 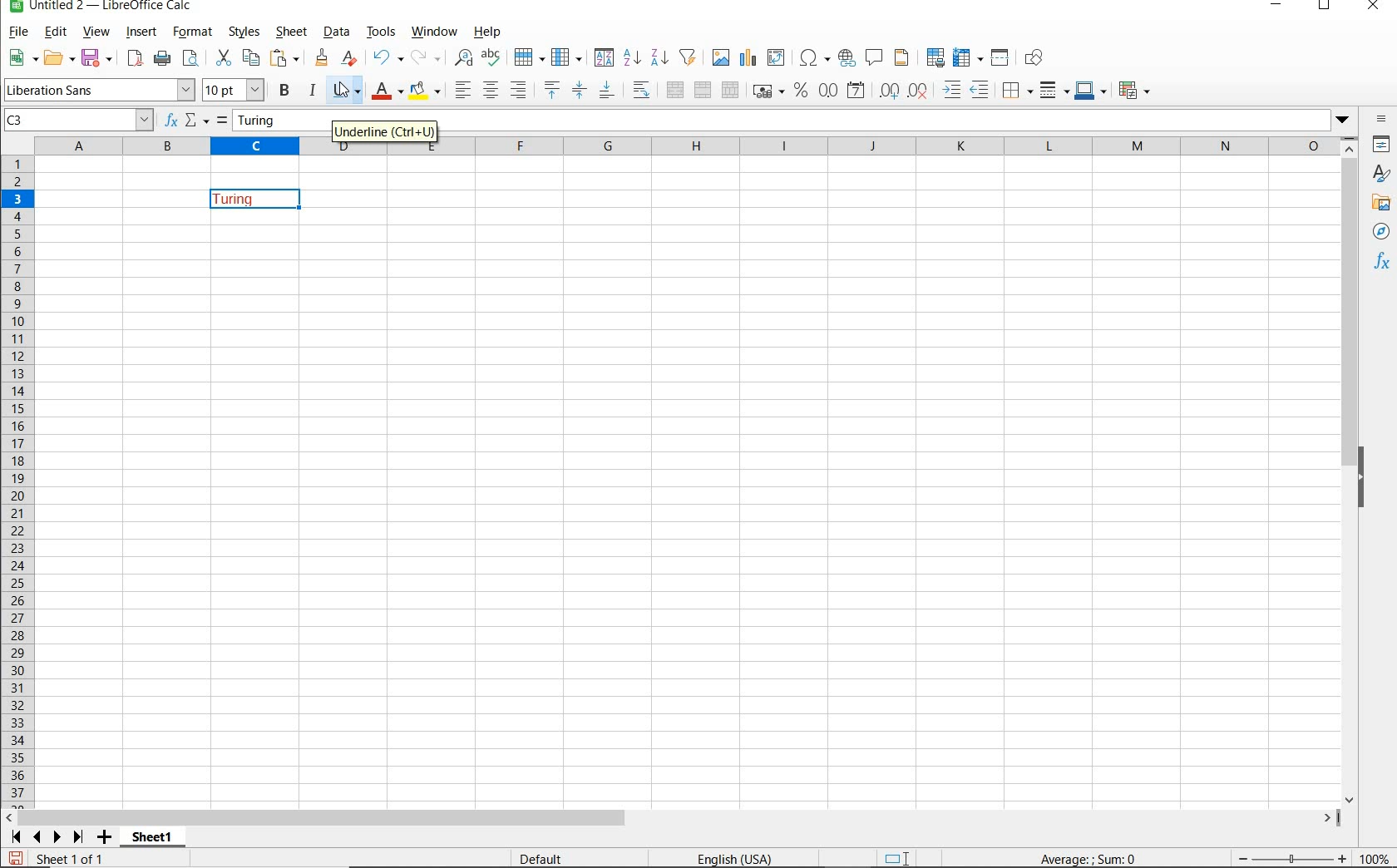 What do you see at coordinates (633, 57) in the screenshot?
I see `SORT ASCENDING` at bounding box center [633, 57].